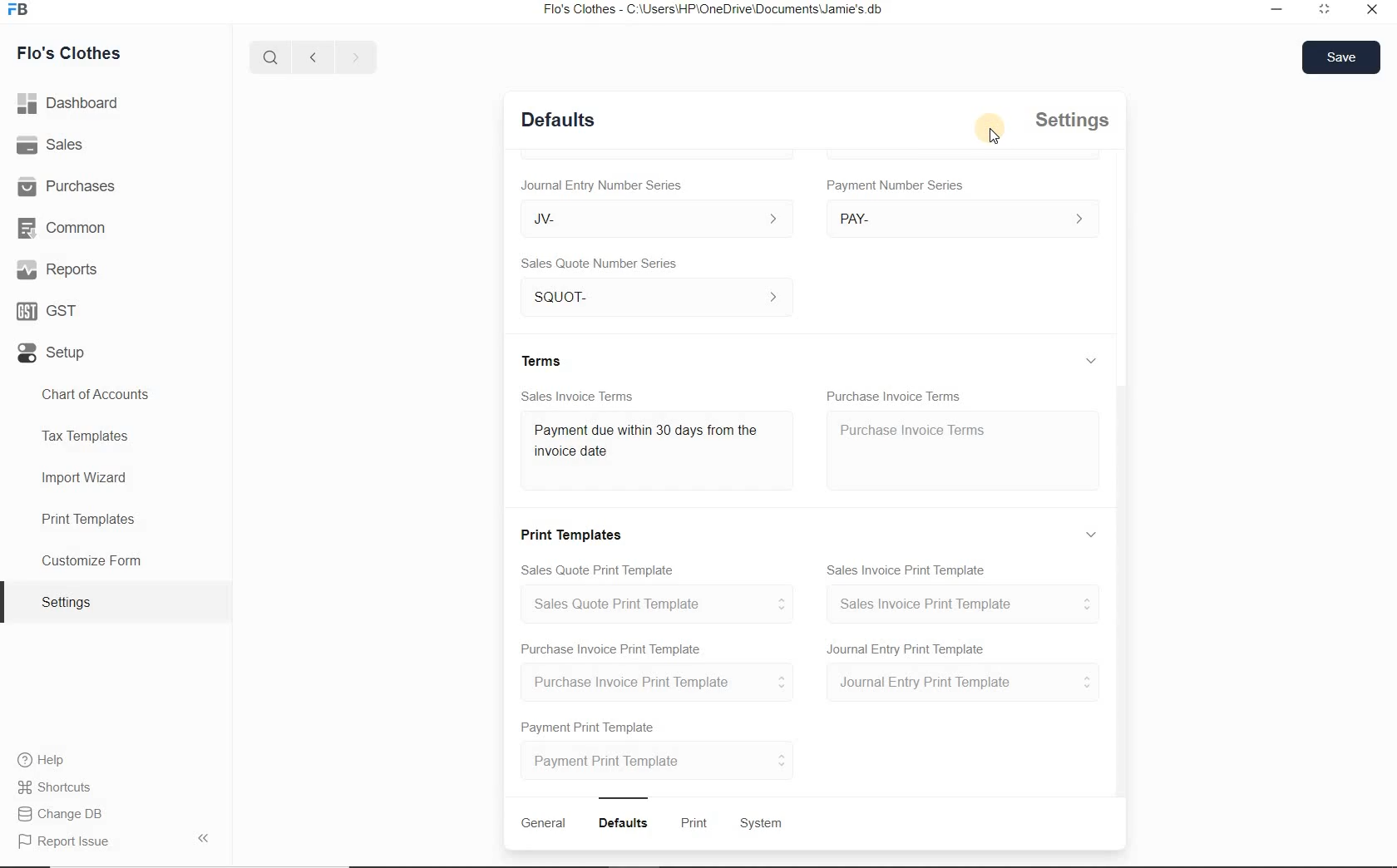  Describe the element at coordinates (893, 394) in the screenshot. I see `Purchase Invoice Terms` at that location.